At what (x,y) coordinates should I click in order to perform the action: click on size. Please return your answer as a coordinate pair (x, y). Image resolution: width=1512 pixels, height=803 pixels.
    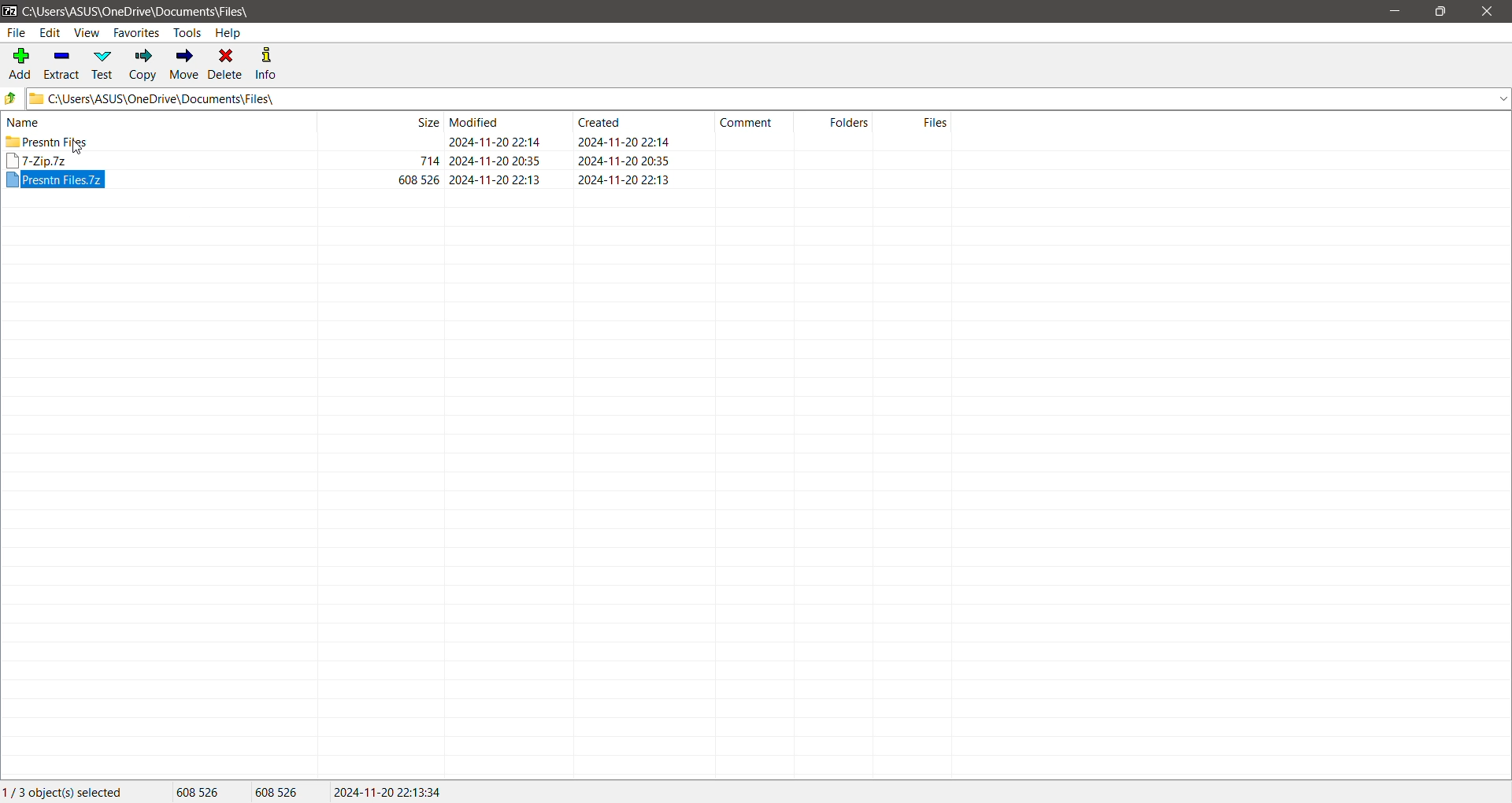
    Looking at the image, I should click on (425, 121).